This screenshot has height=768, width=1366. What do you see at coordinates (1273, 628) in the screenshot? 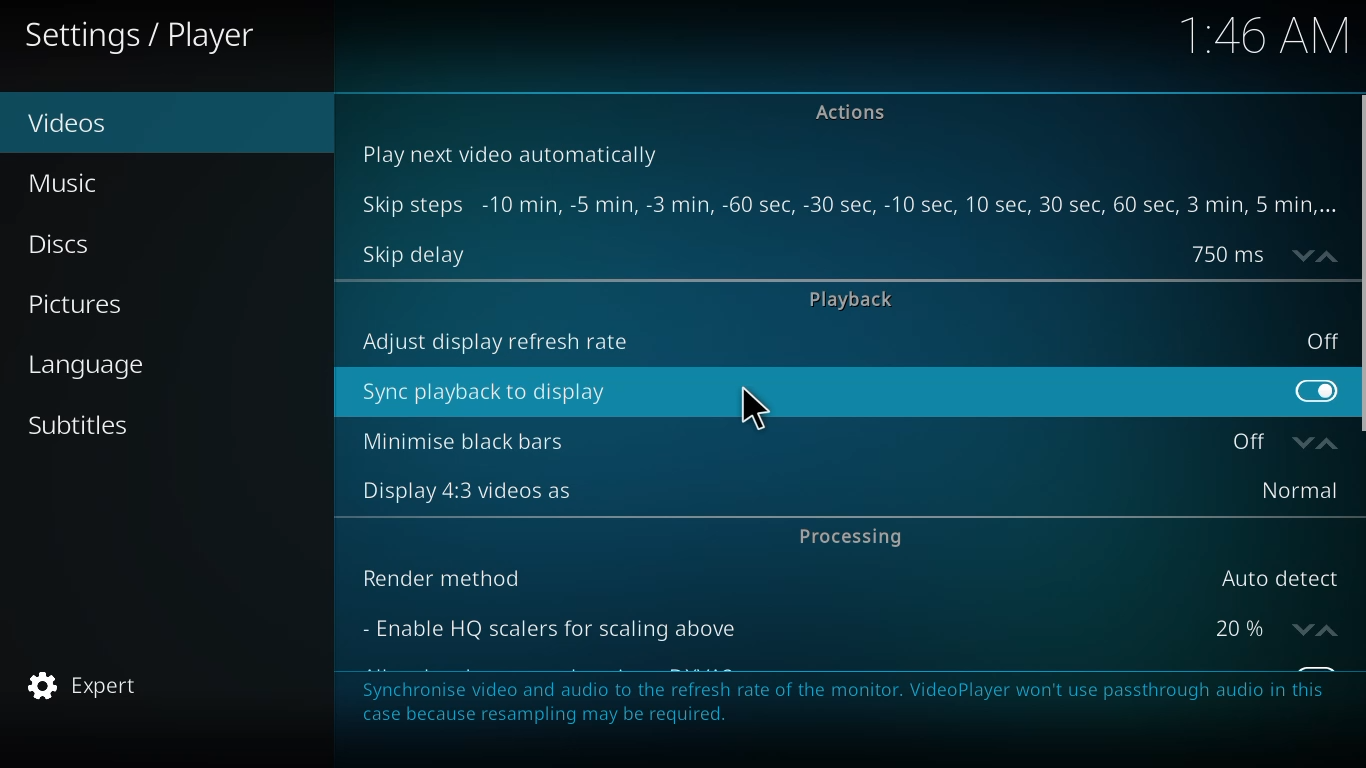
I see `20%` at bounding box center [1273, 628].